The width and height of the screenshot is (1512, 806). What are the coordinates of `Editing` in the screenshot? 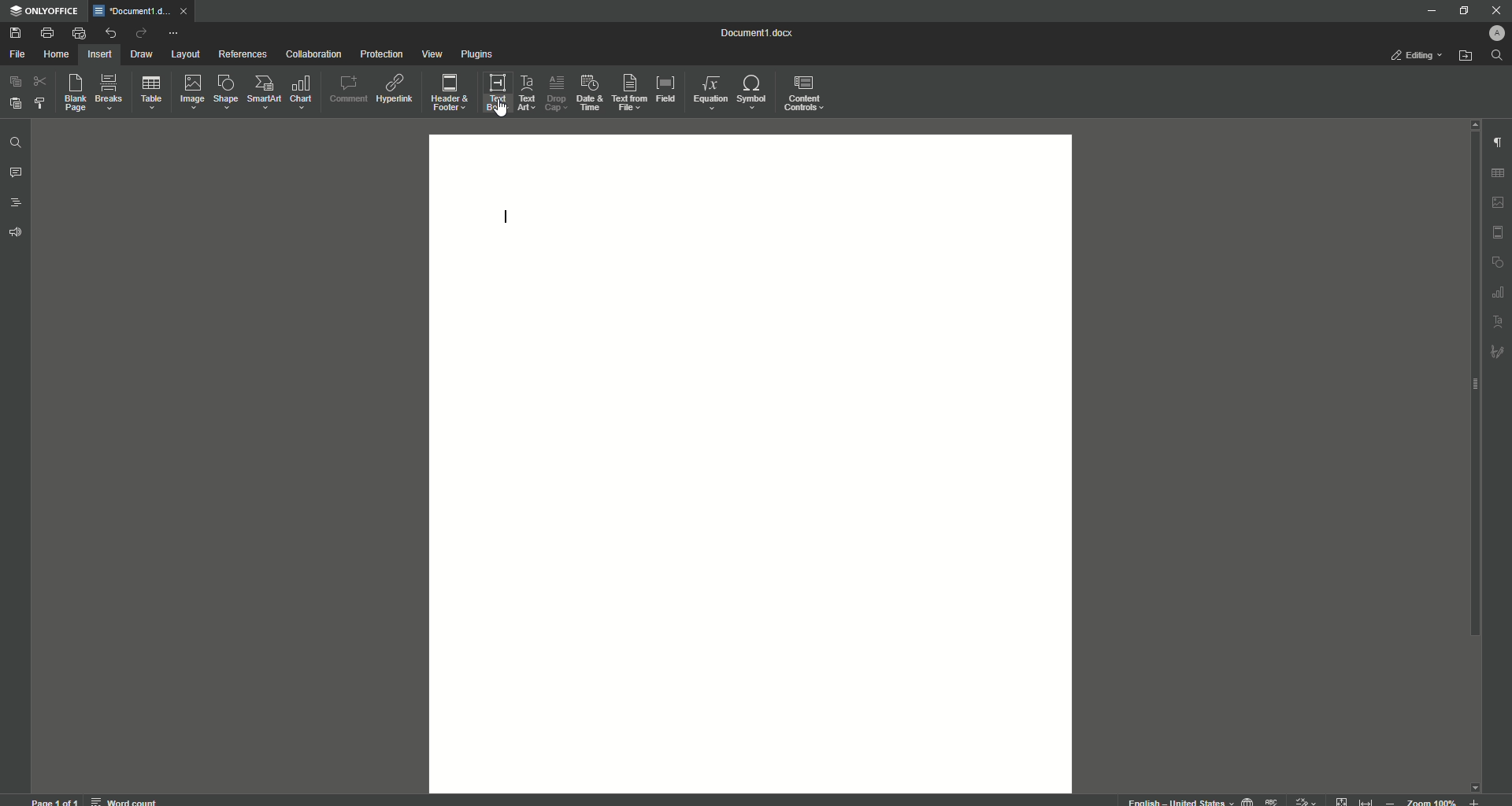 It's located at (1419, 55).